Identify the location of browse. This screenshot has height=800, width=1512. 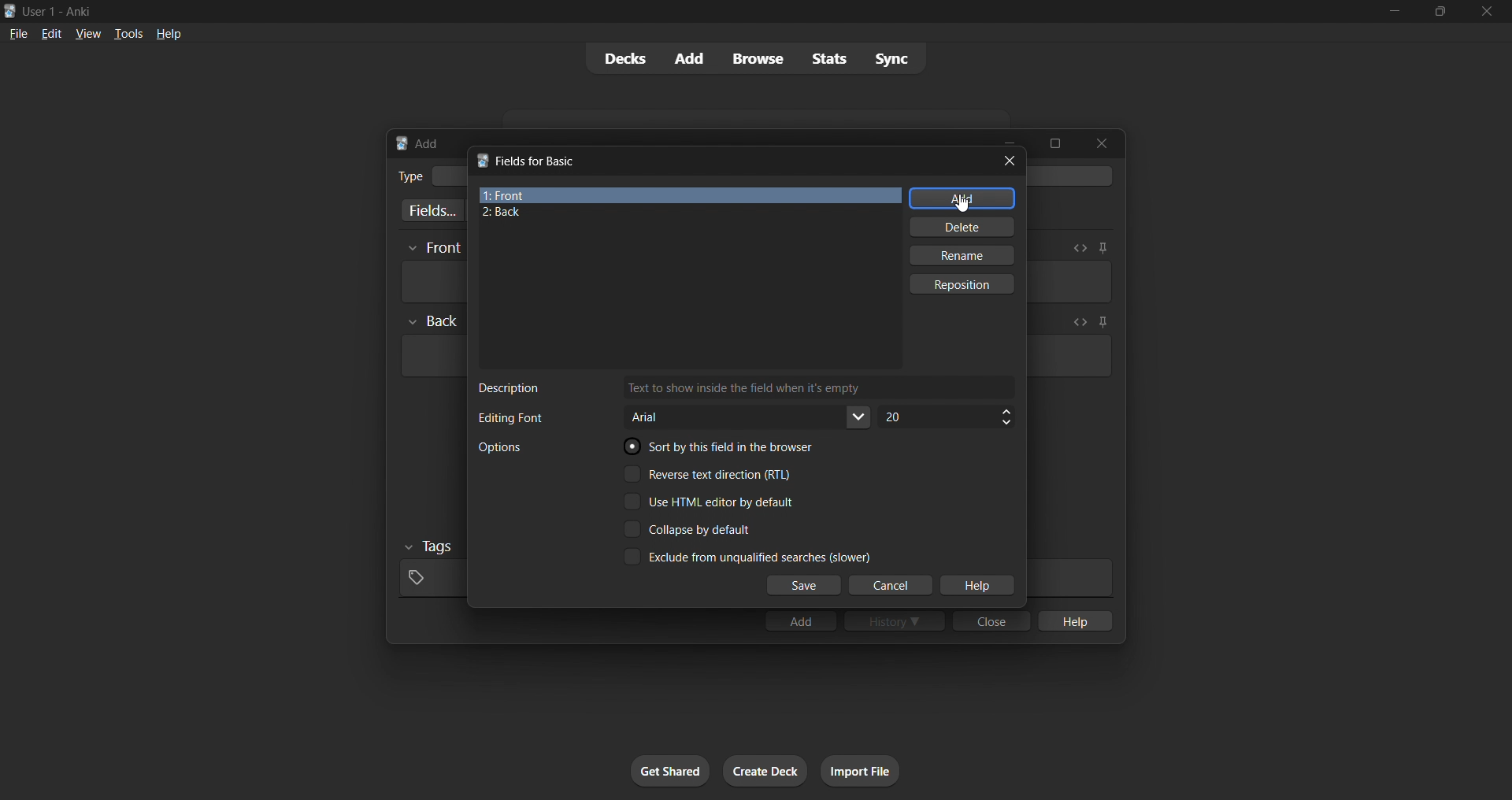
(758, 58).